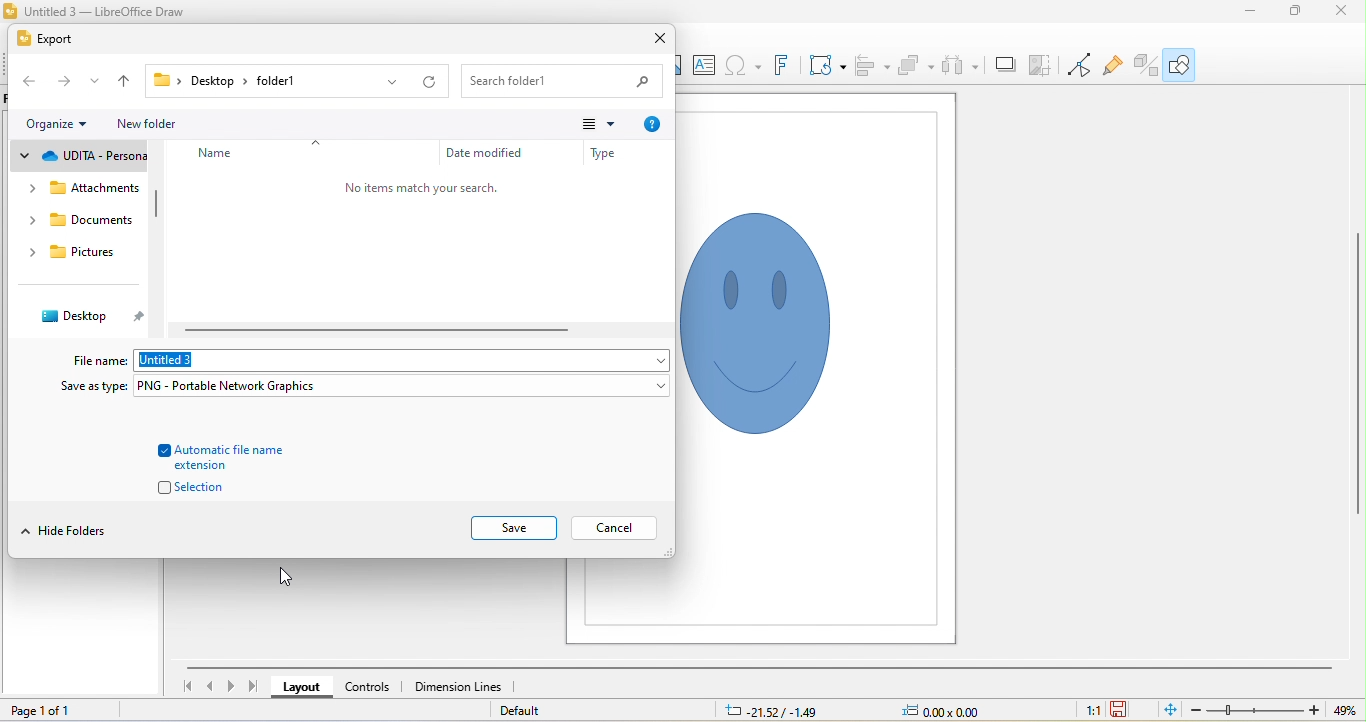  I want to click on drop down, so click(26, 155).